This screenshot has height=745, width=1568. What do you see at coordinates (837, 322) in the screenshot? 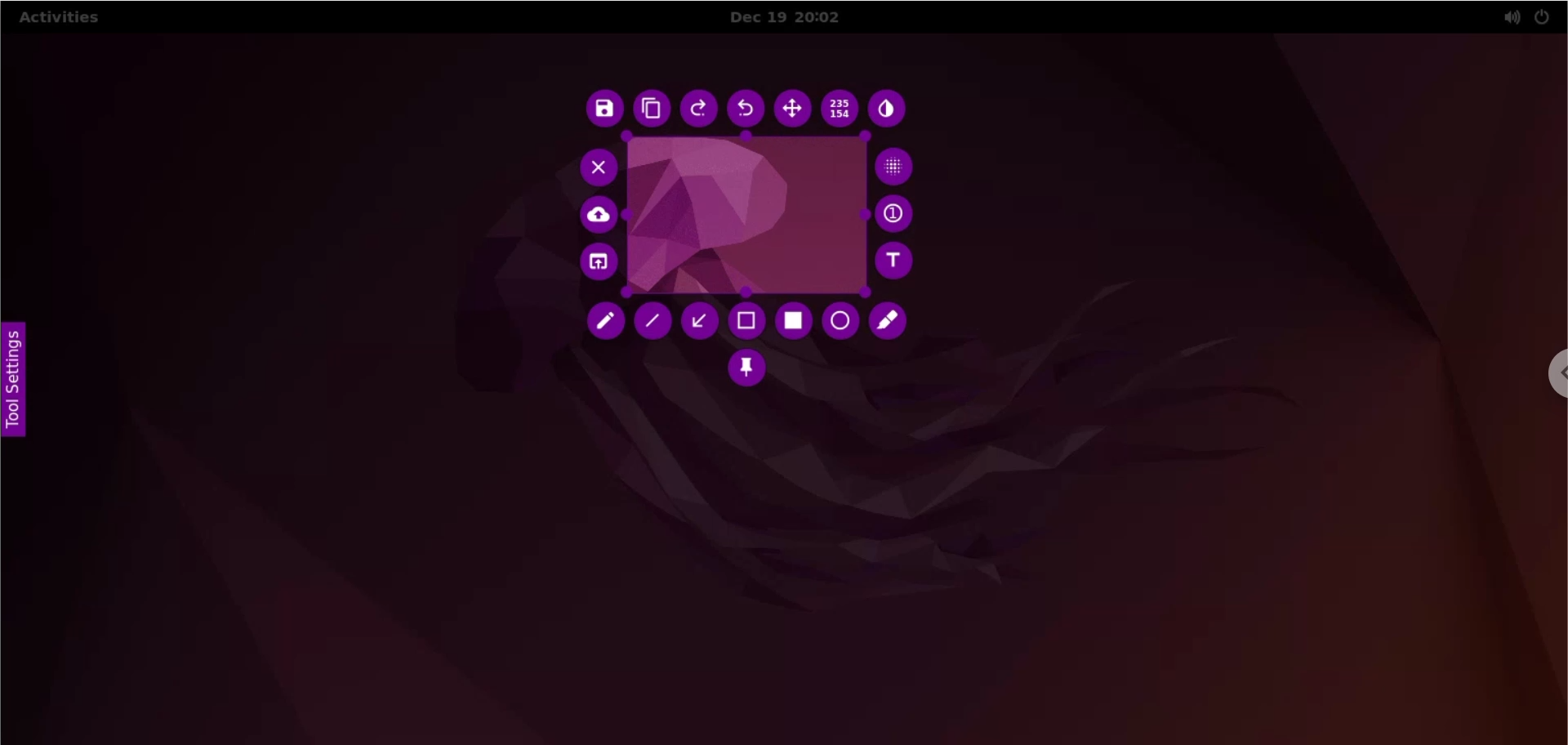
I see `circle tool` at bounding box center [837, 322].